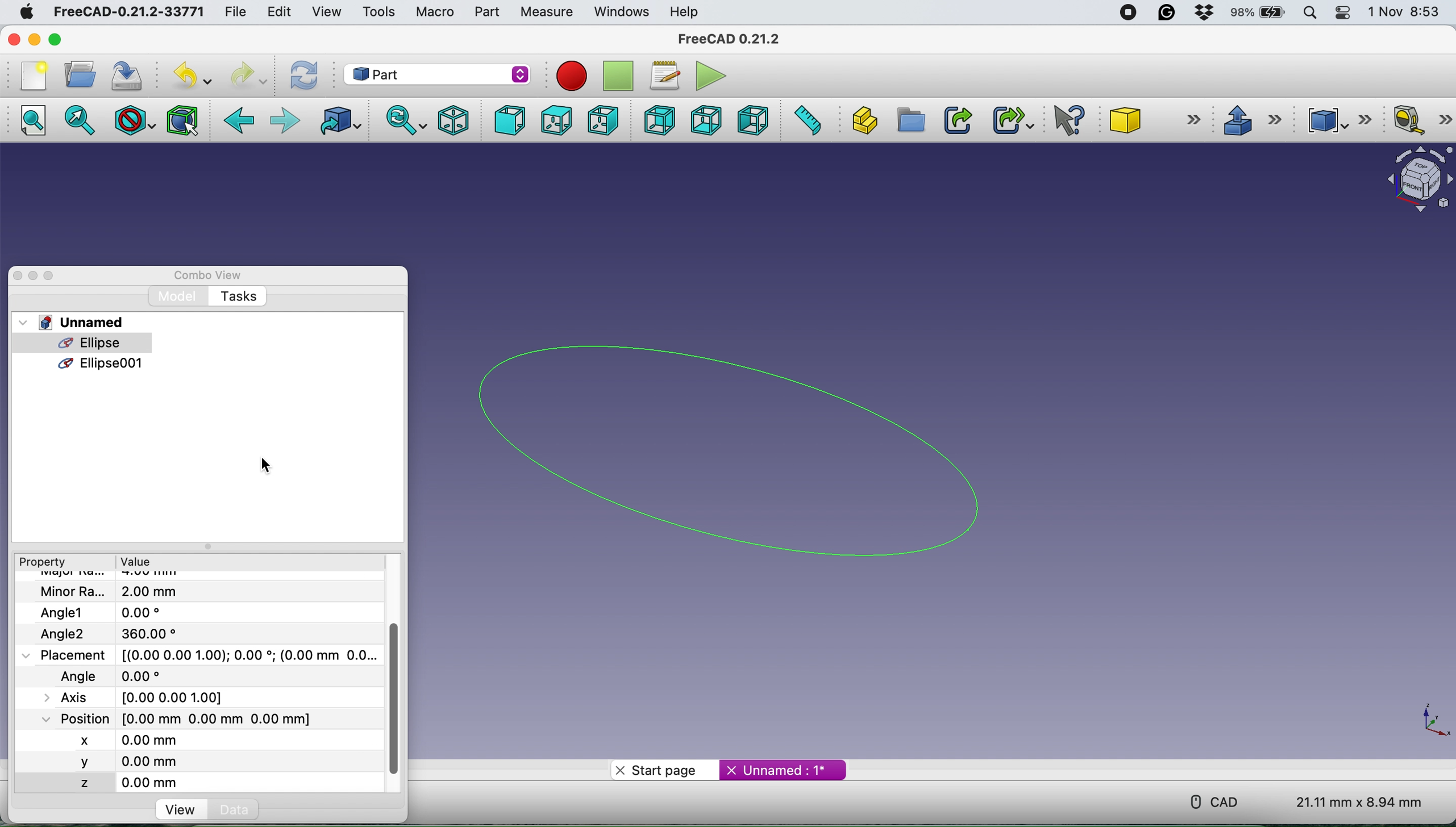 This screenshot has height=827, width=1456. I want to click on xy coordinate, so click(1432, 724).